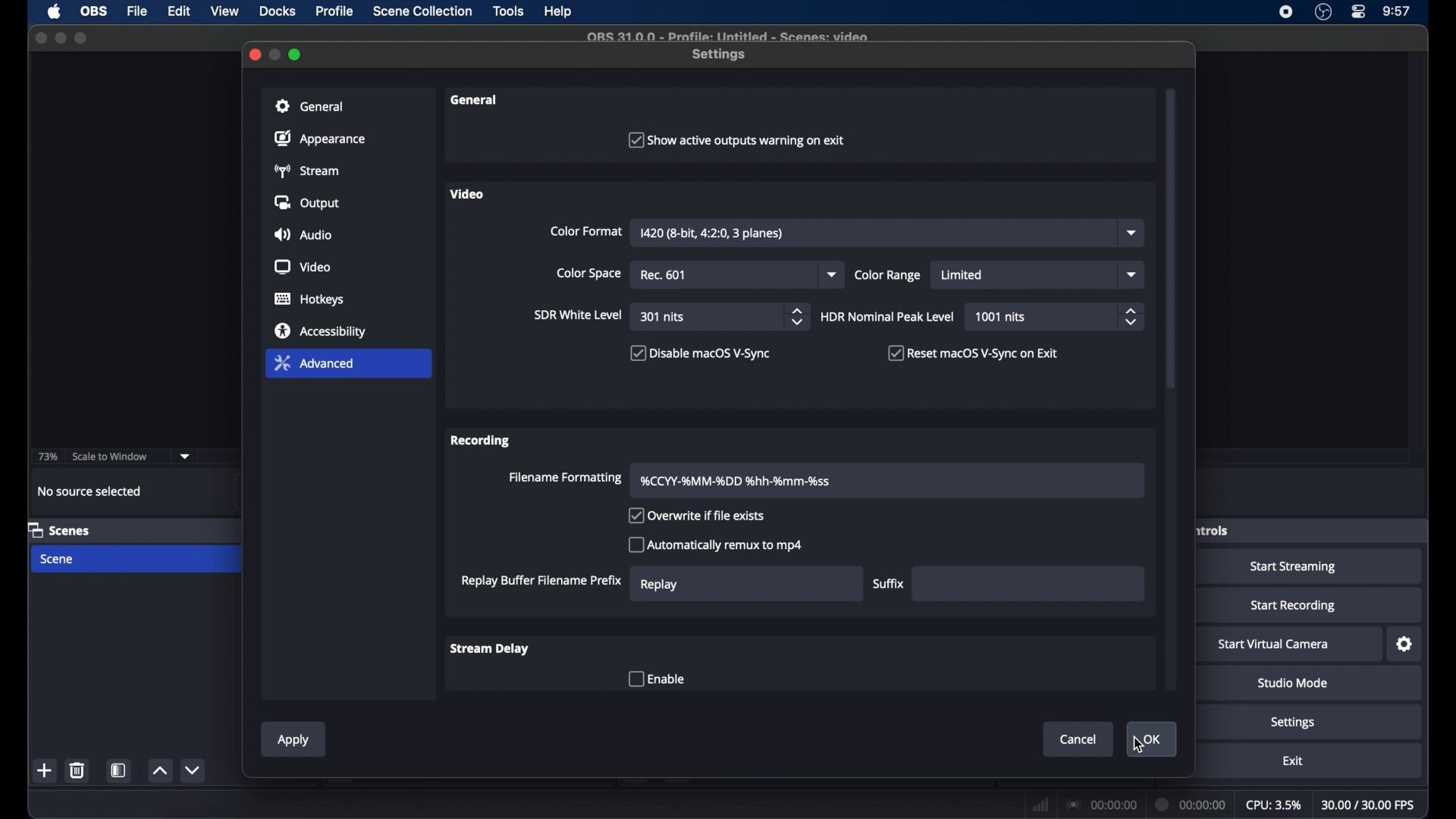  Describe the element at coordinates (1273, 804) in the screenshot. I see `cpu` at that location.